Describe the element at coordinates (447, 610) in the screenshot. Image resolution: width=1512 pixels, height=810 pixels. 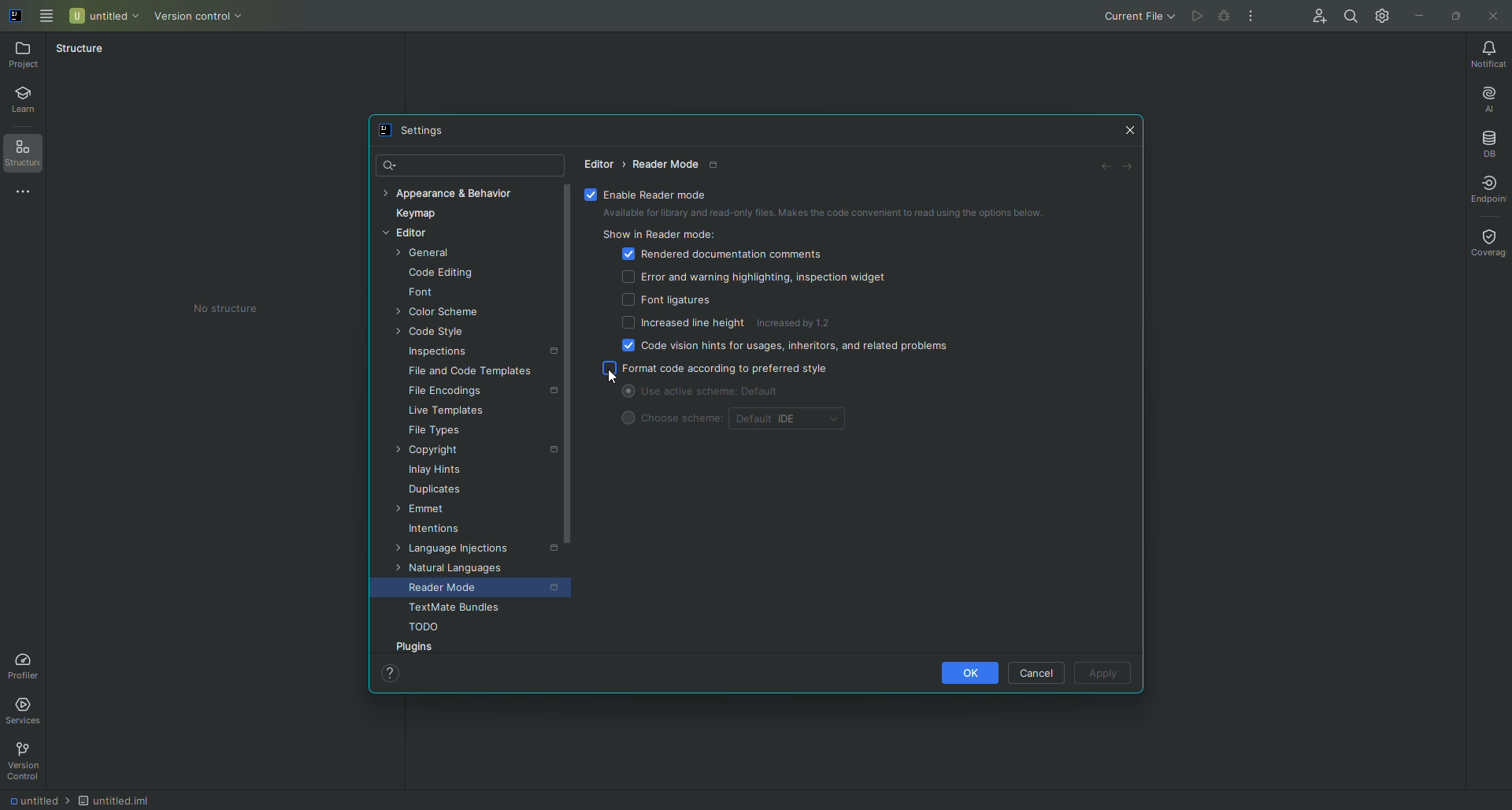
I see `Textmate bundles` at that location.